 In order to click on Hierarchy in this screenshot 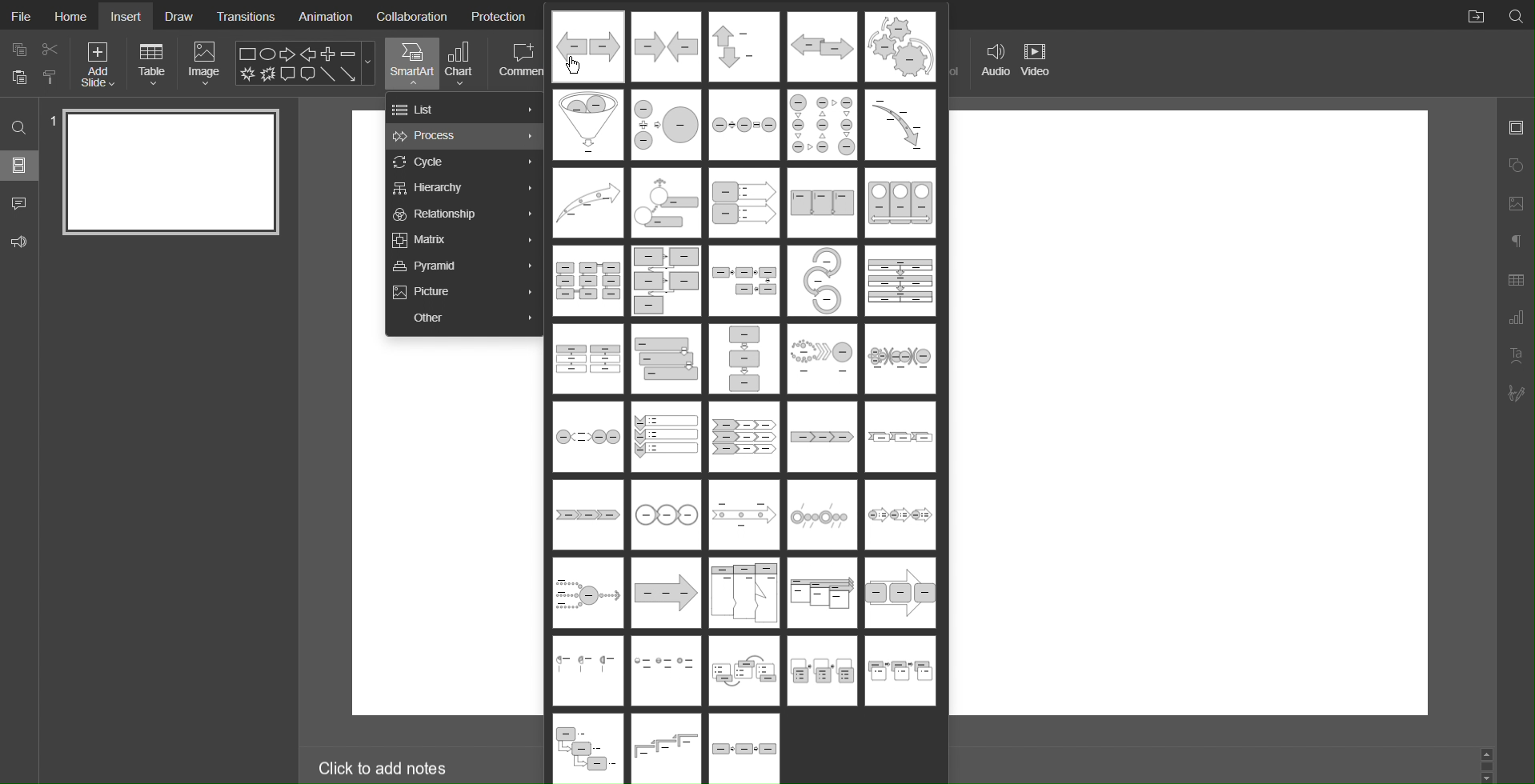, I will do `click(463, 188)`.